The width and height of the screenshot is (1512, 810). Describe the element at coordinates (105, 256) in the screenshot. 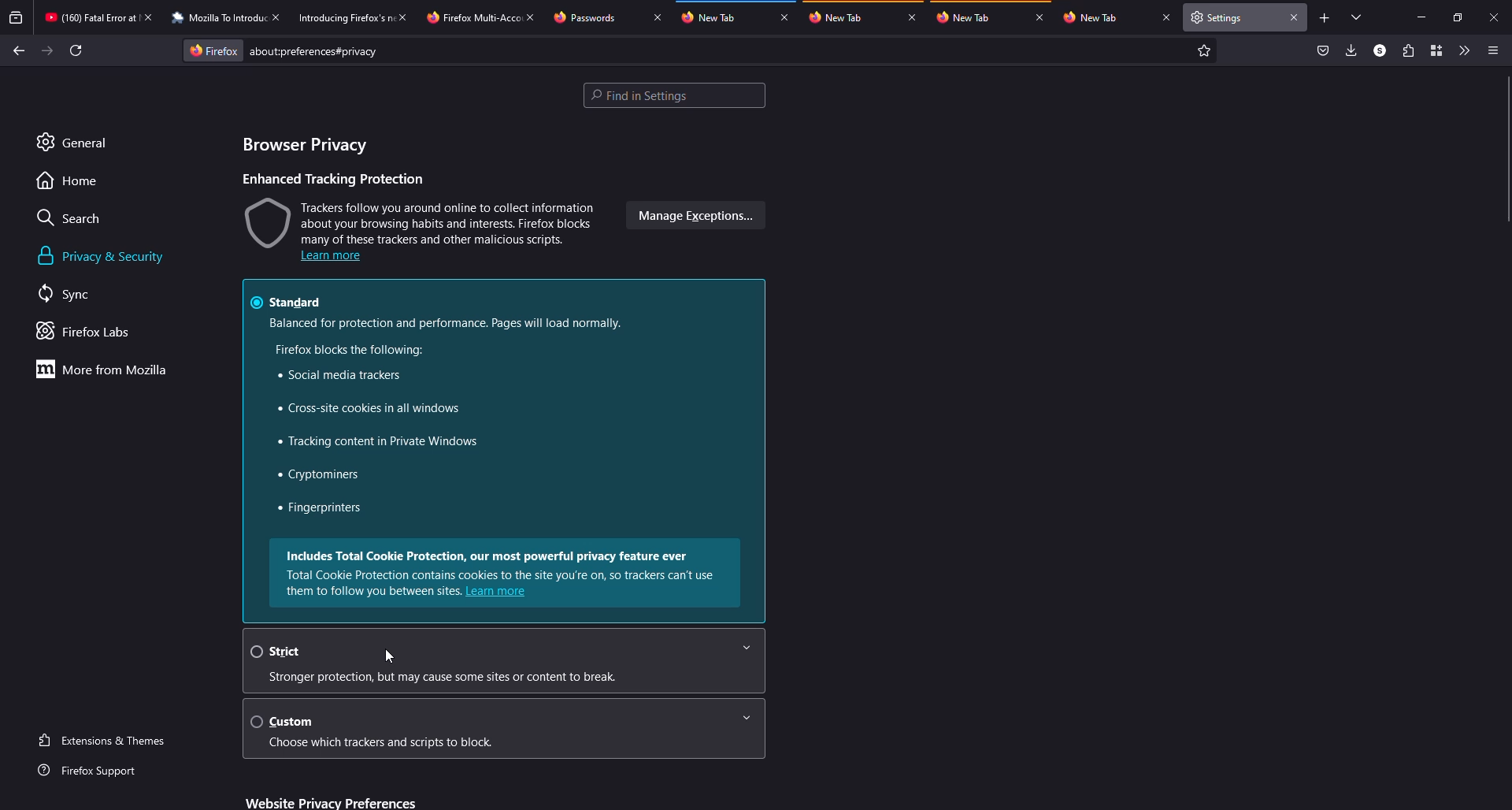

I see `privacy & security` at that location.